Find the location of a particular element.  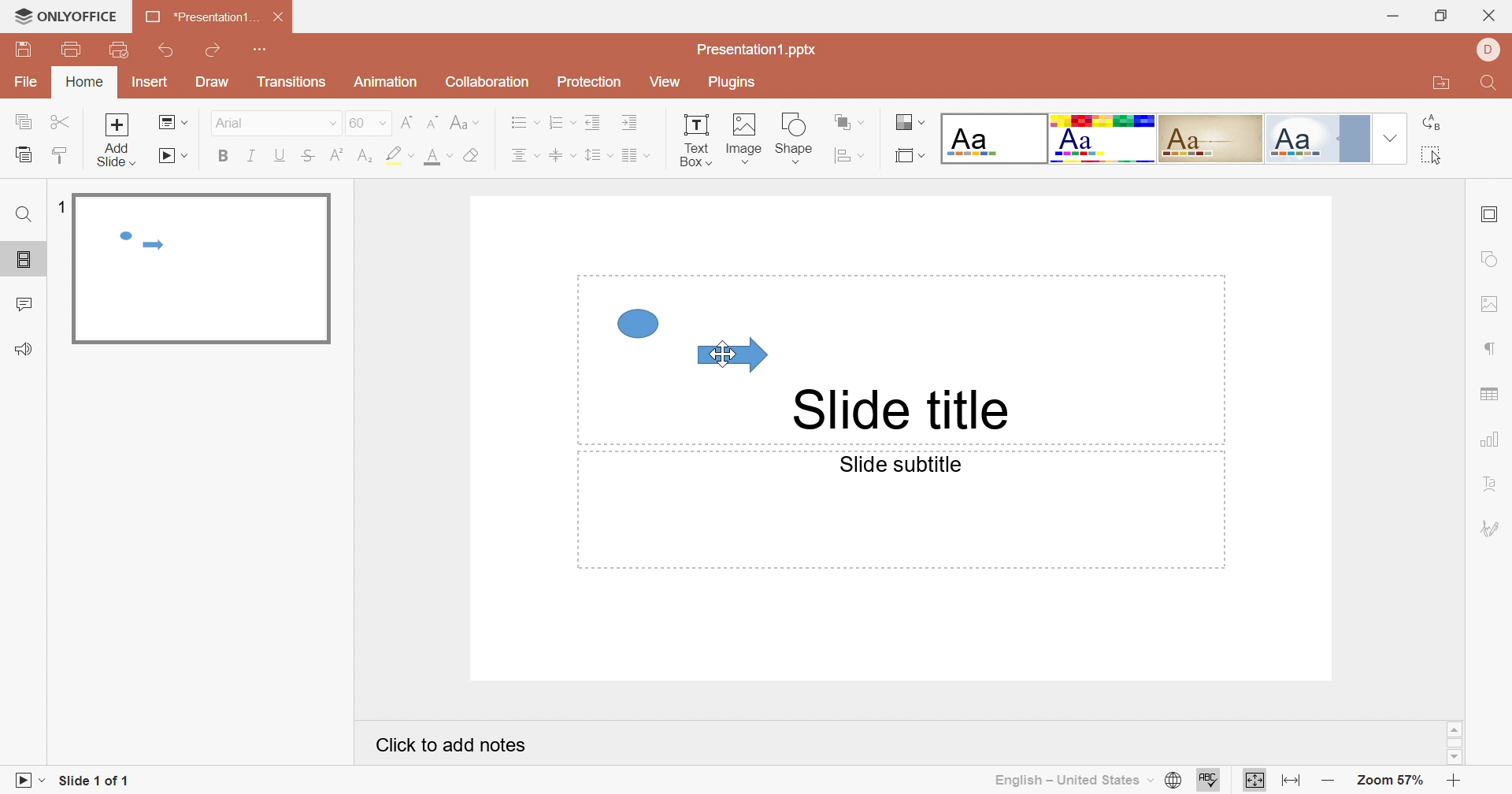

Close is located at coordinates (1492, 16).